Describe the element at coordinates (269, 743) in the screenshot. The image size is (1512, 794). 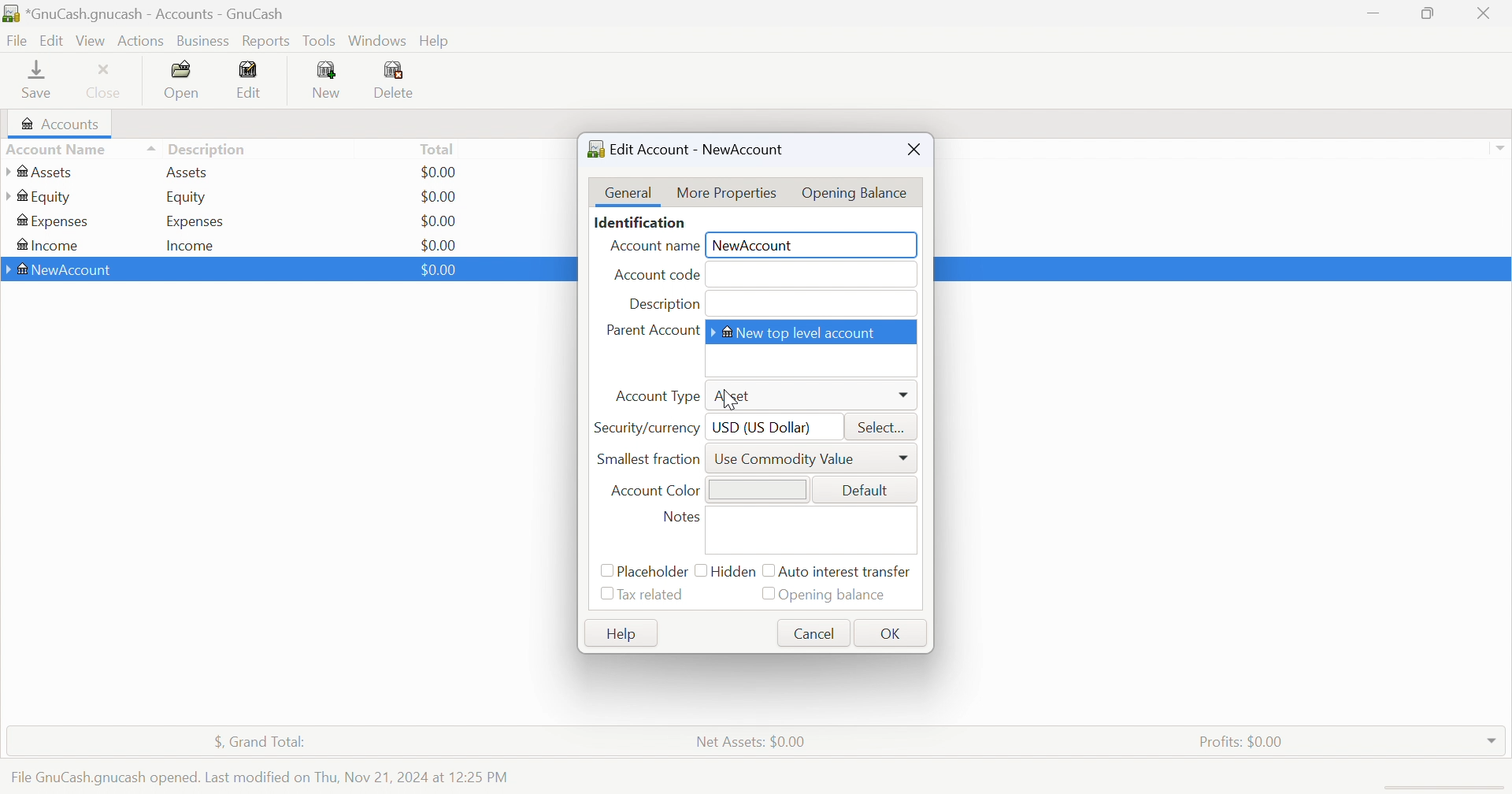
I see `$, Grand Total:` at that location.